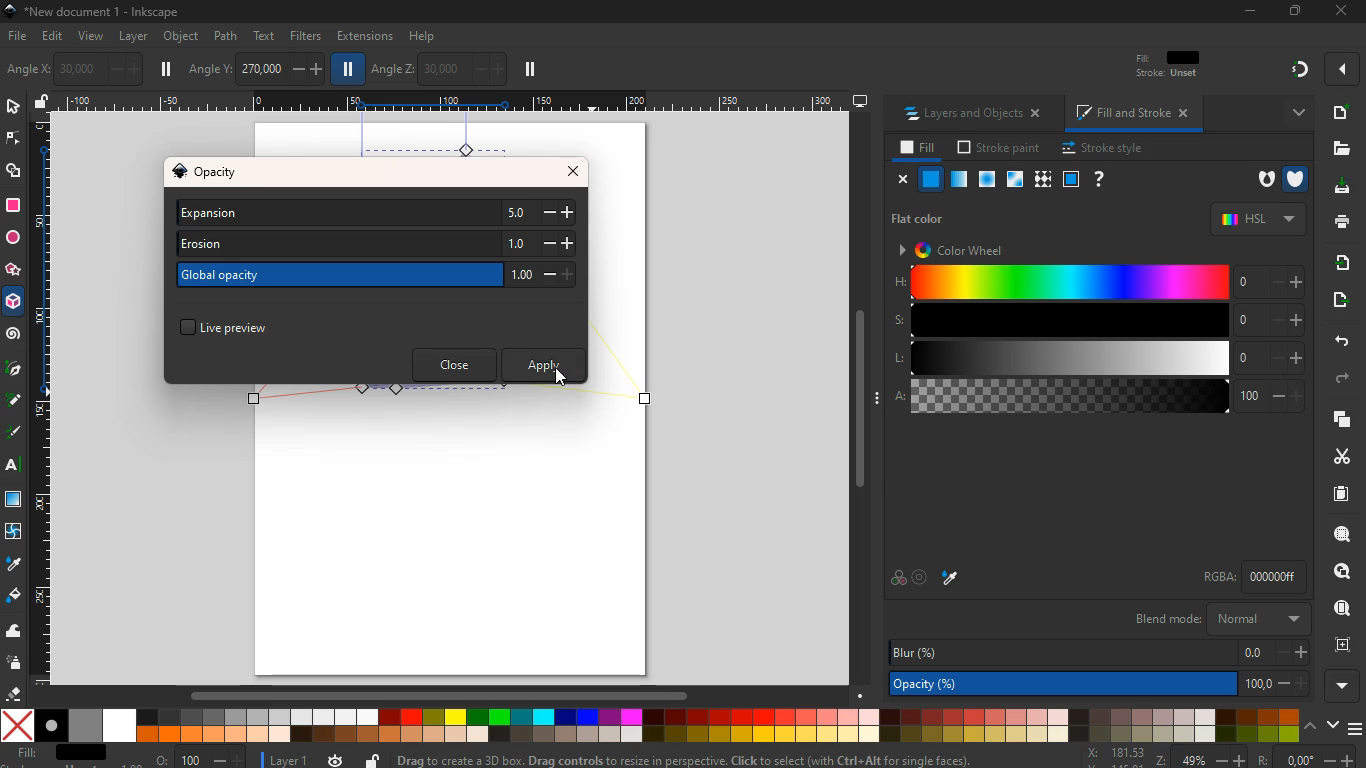  I want to click on ice, so click(984, 179).